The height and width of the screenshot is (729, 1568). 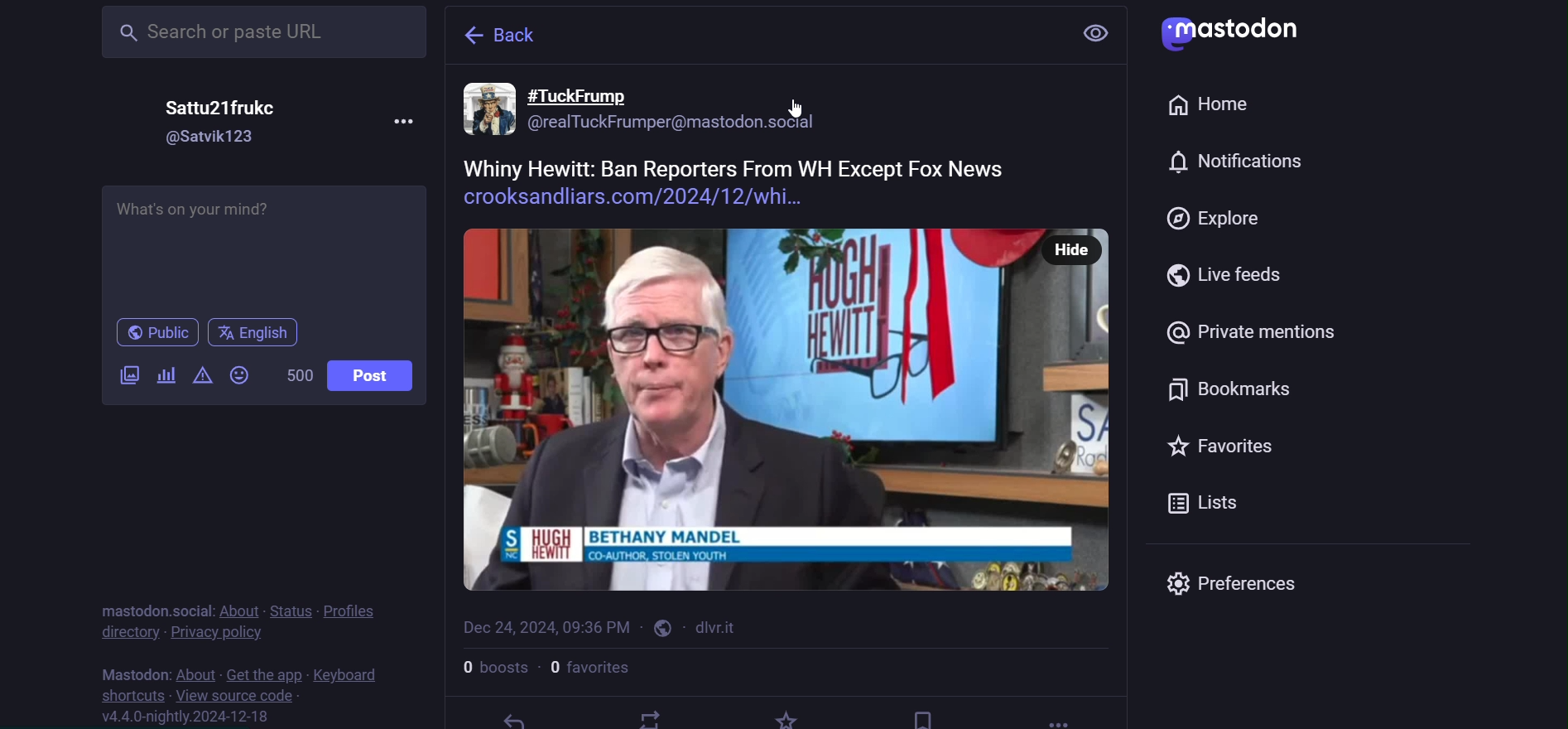 What do you see at coordinates (1241, 583) in the screenshot?
I see `preferences` at bounding box center [1241, 583].